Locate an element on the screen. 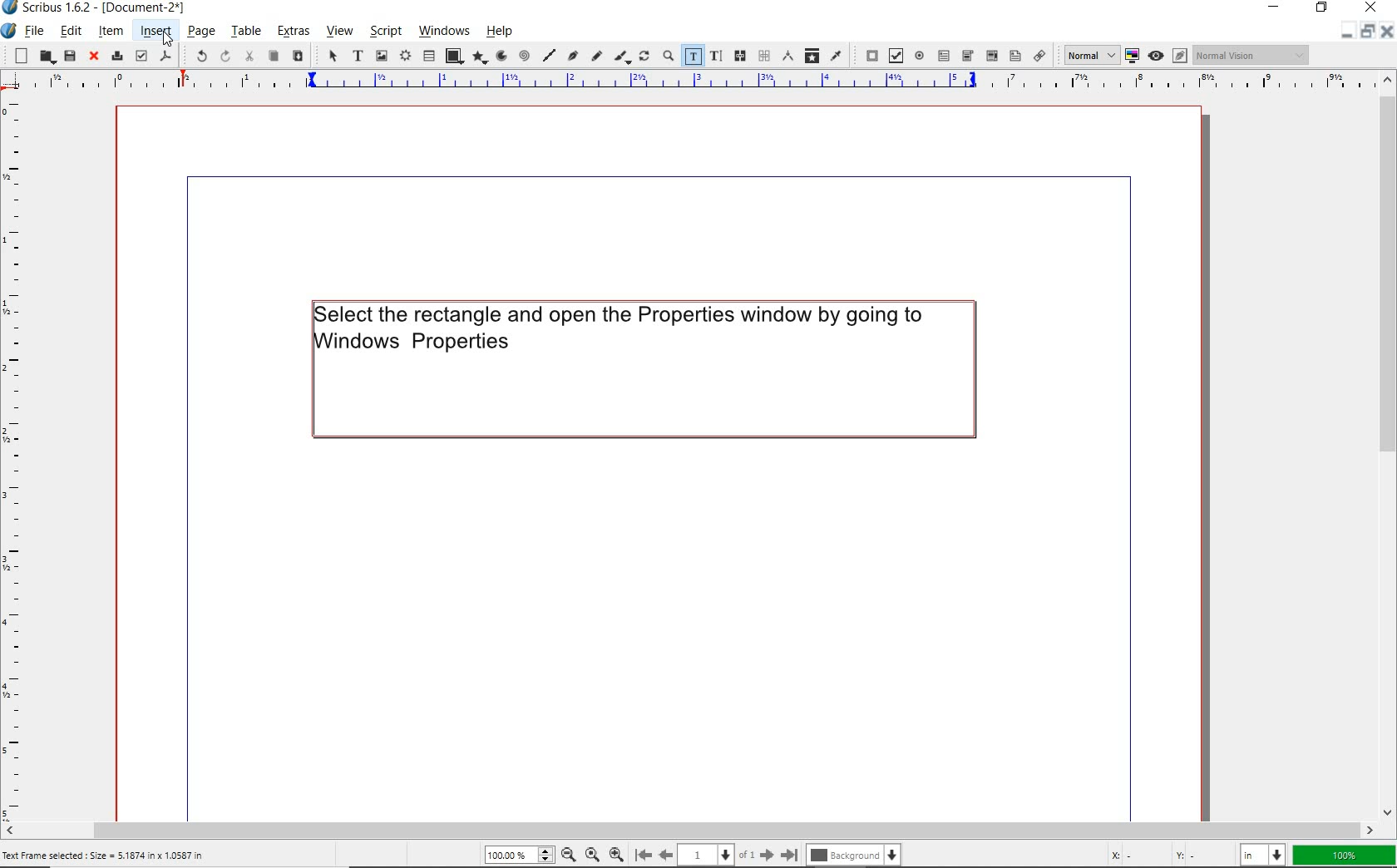 The image size is (1397, 868). Bezier curve is located at coordinates (573, 57).